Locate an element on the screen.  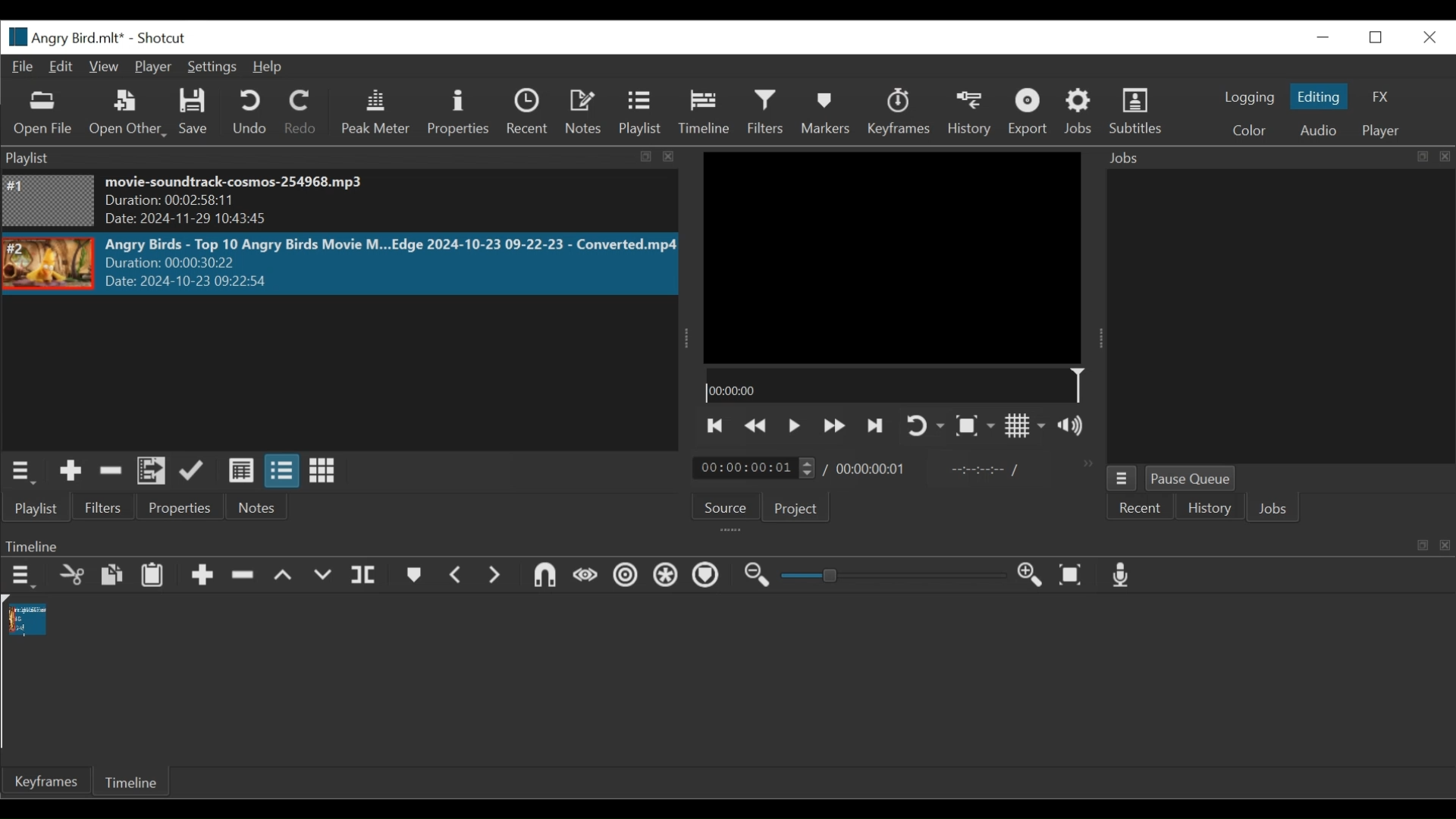
FX is located at coordinates (1382, 99).